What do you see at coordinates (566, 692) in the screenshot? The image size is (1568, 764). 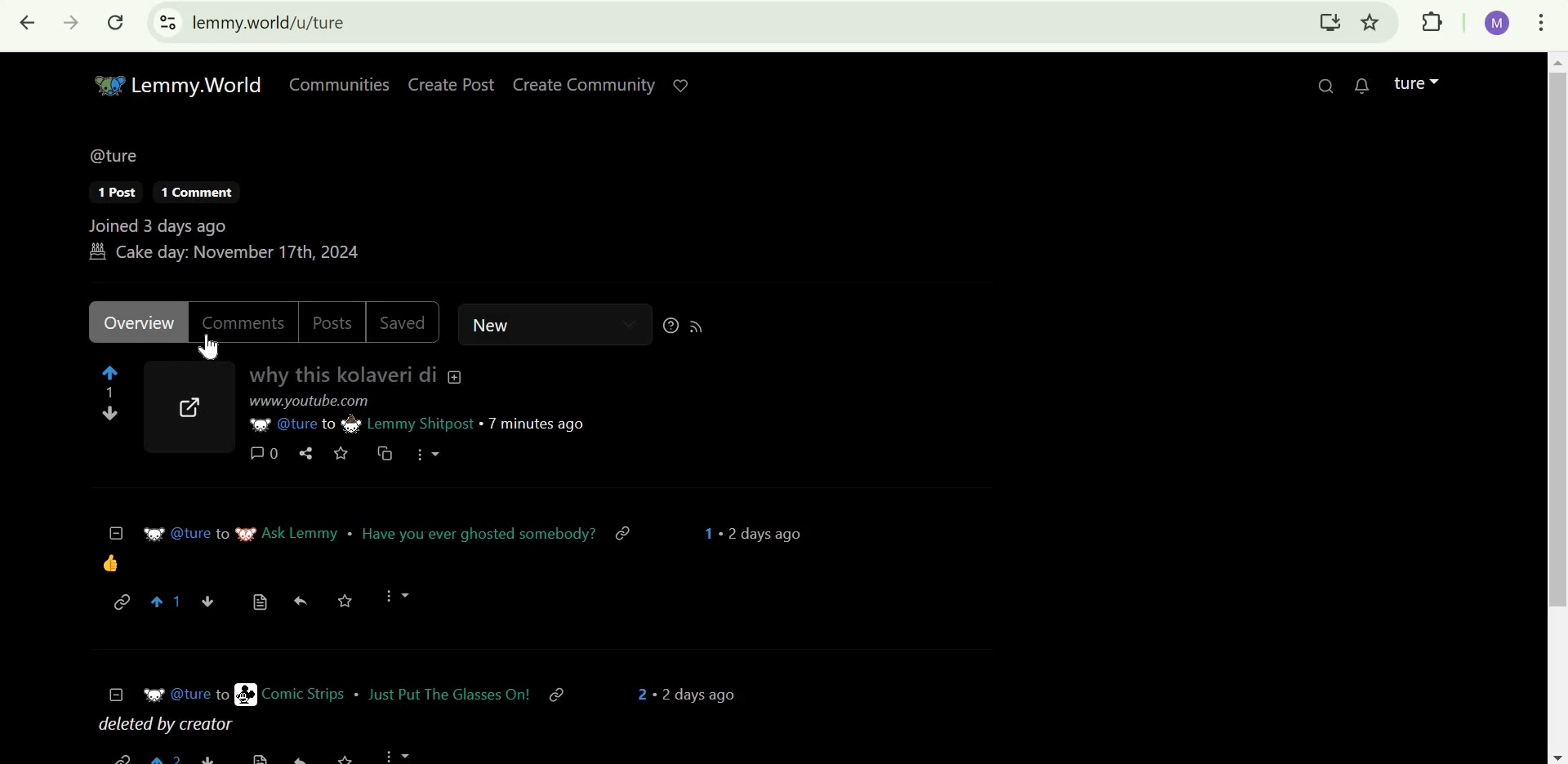 I see `link` at bounding box center [566, 692].